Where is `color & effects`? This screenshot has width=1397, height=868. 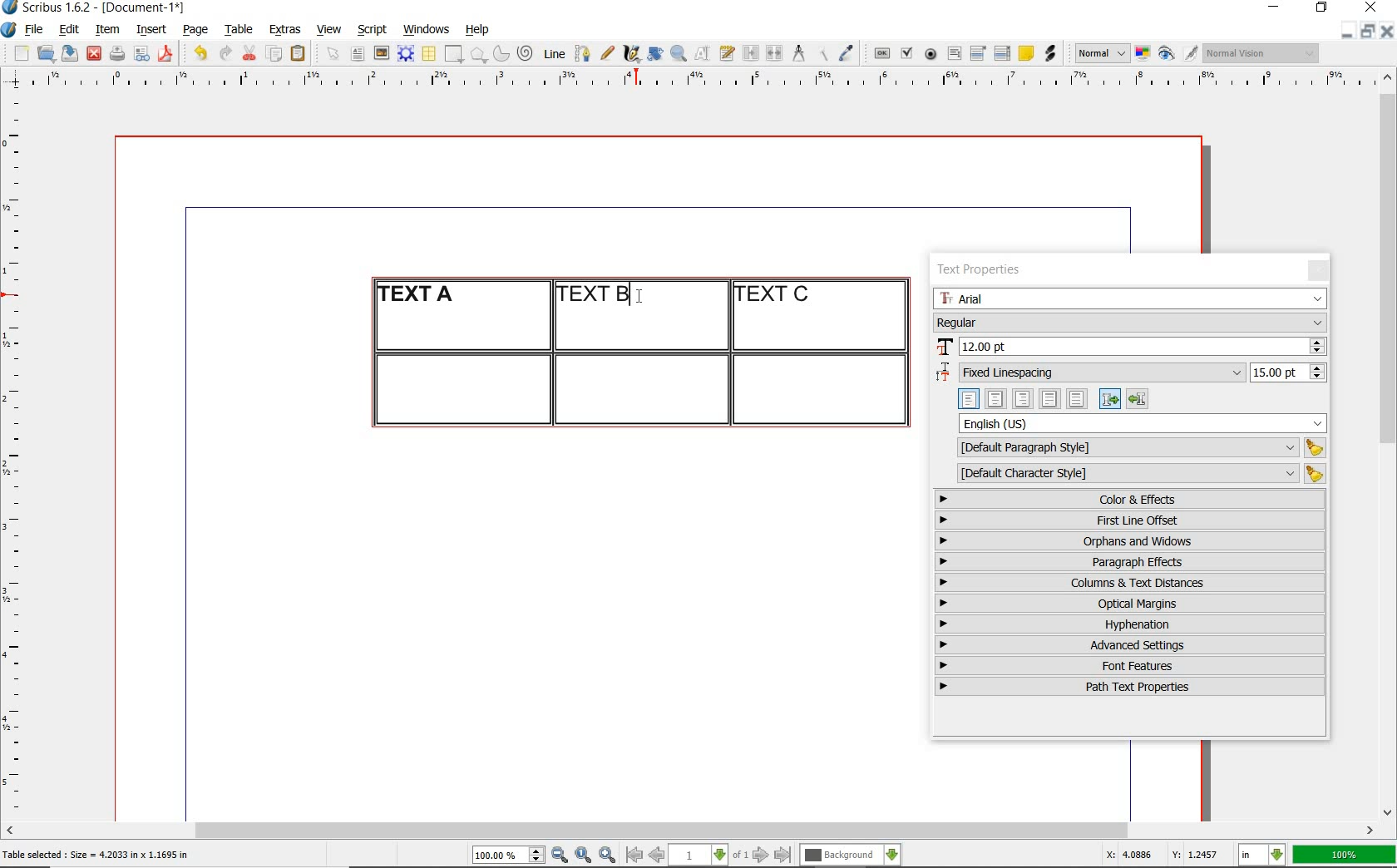 color & effects is located at coordinates (1132, 499).